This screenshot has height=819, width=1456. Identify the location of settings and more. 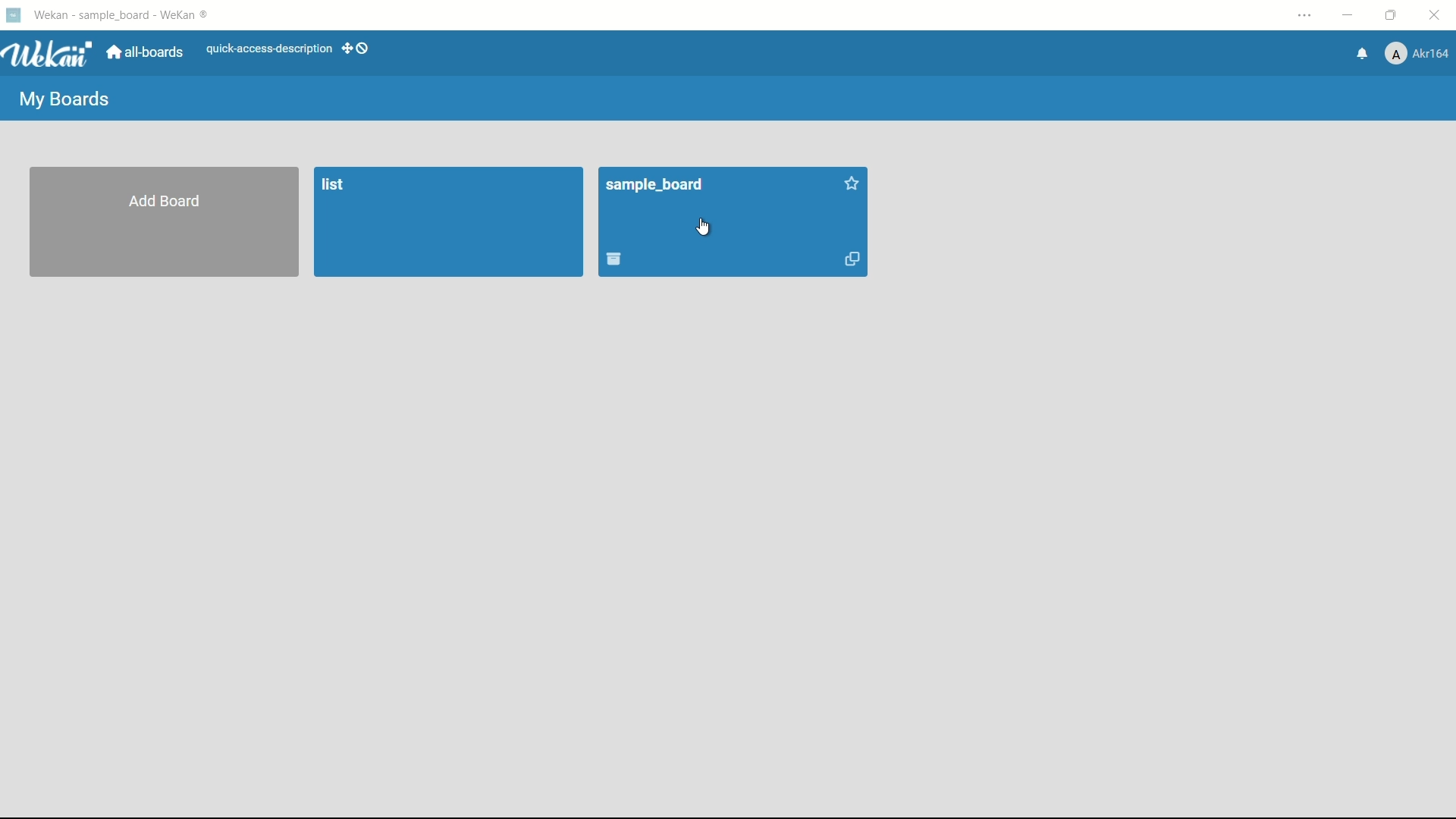
(1302, 16).